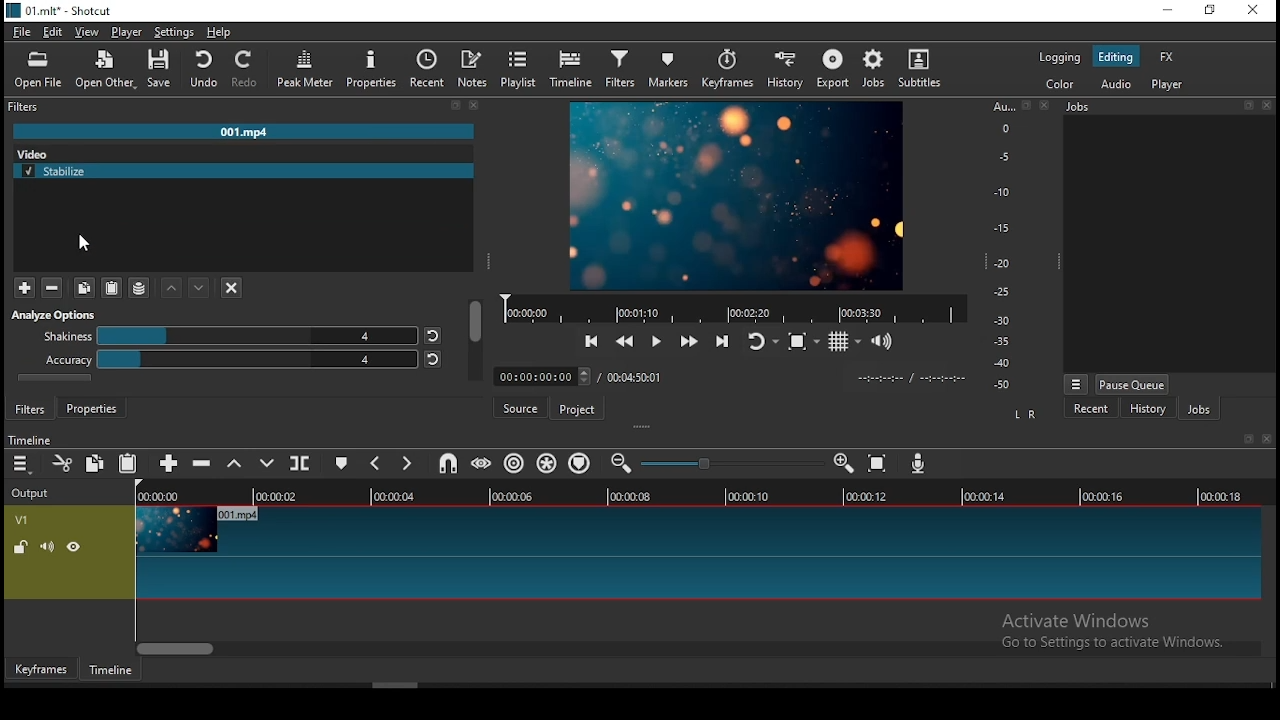  What do you see at coordinates (300, 463) in the screenshot?
I see `split at playhead` at bounding box center [300, 463].